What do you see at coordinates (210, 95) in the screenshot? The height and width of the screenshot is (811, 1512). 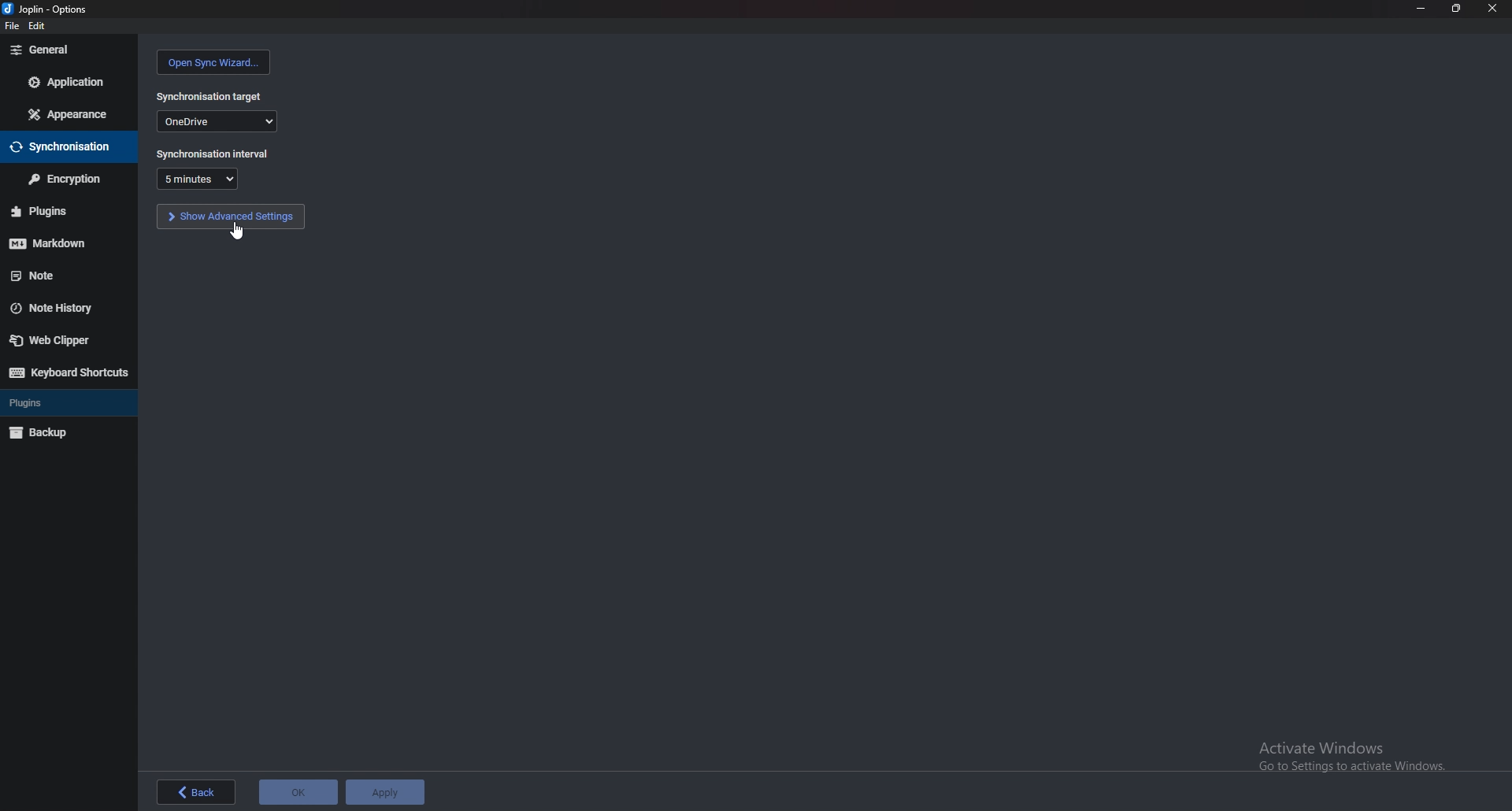 I see `sync target` at bounding box center [210, 95].